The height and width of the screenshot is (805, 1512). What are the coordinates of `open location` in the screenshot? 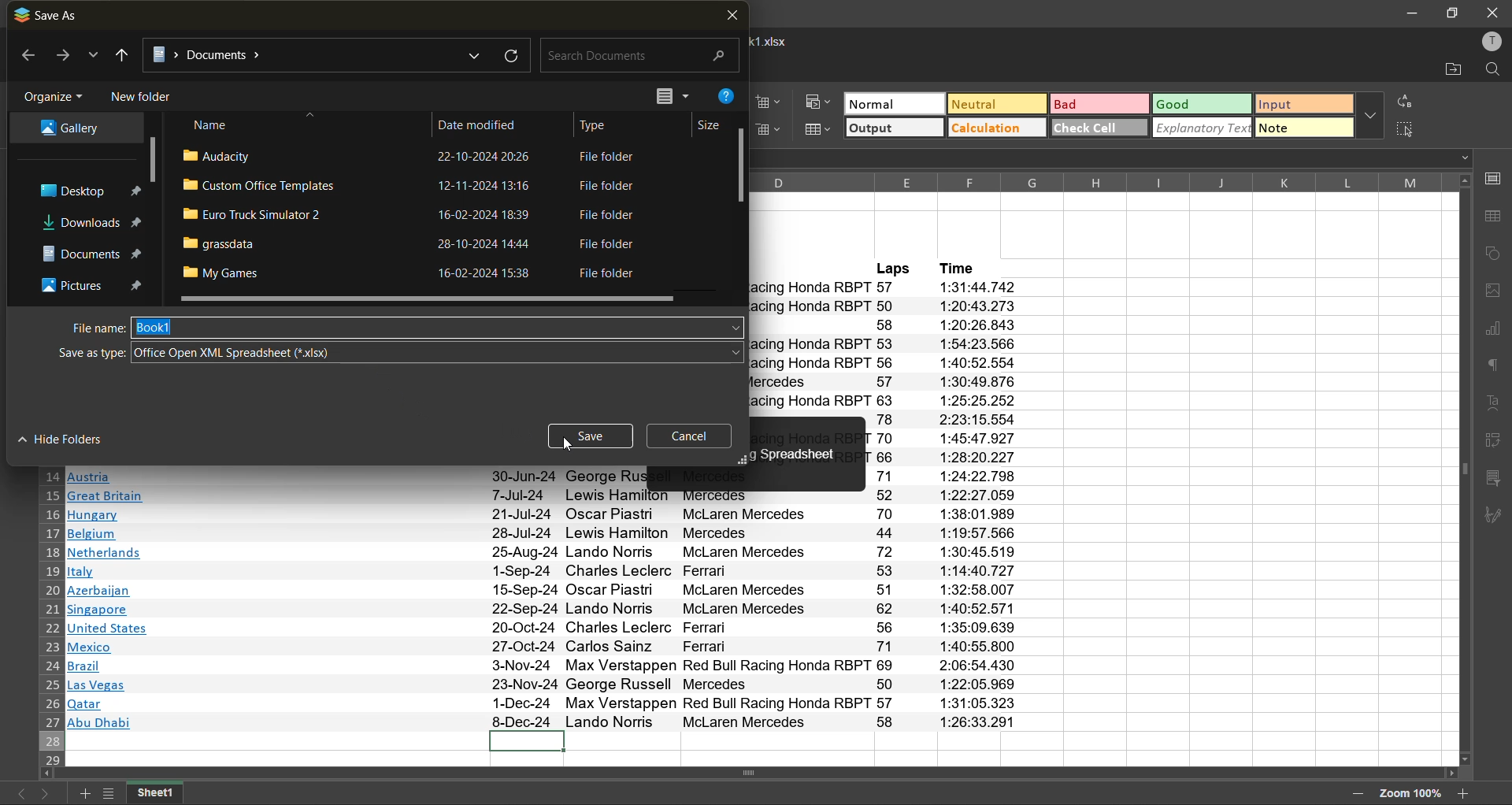 It's located at (1451, 71).